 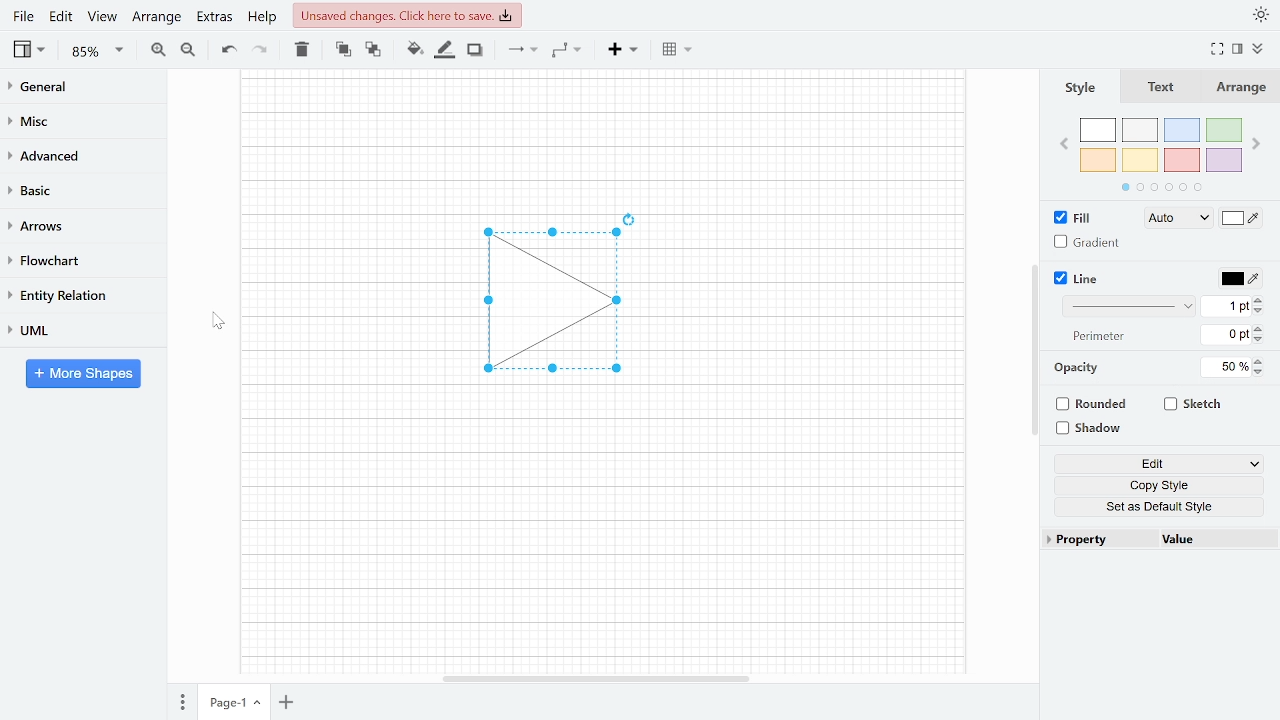 I want to click on Horizontal scrollbar, so click(x=598, y=678).